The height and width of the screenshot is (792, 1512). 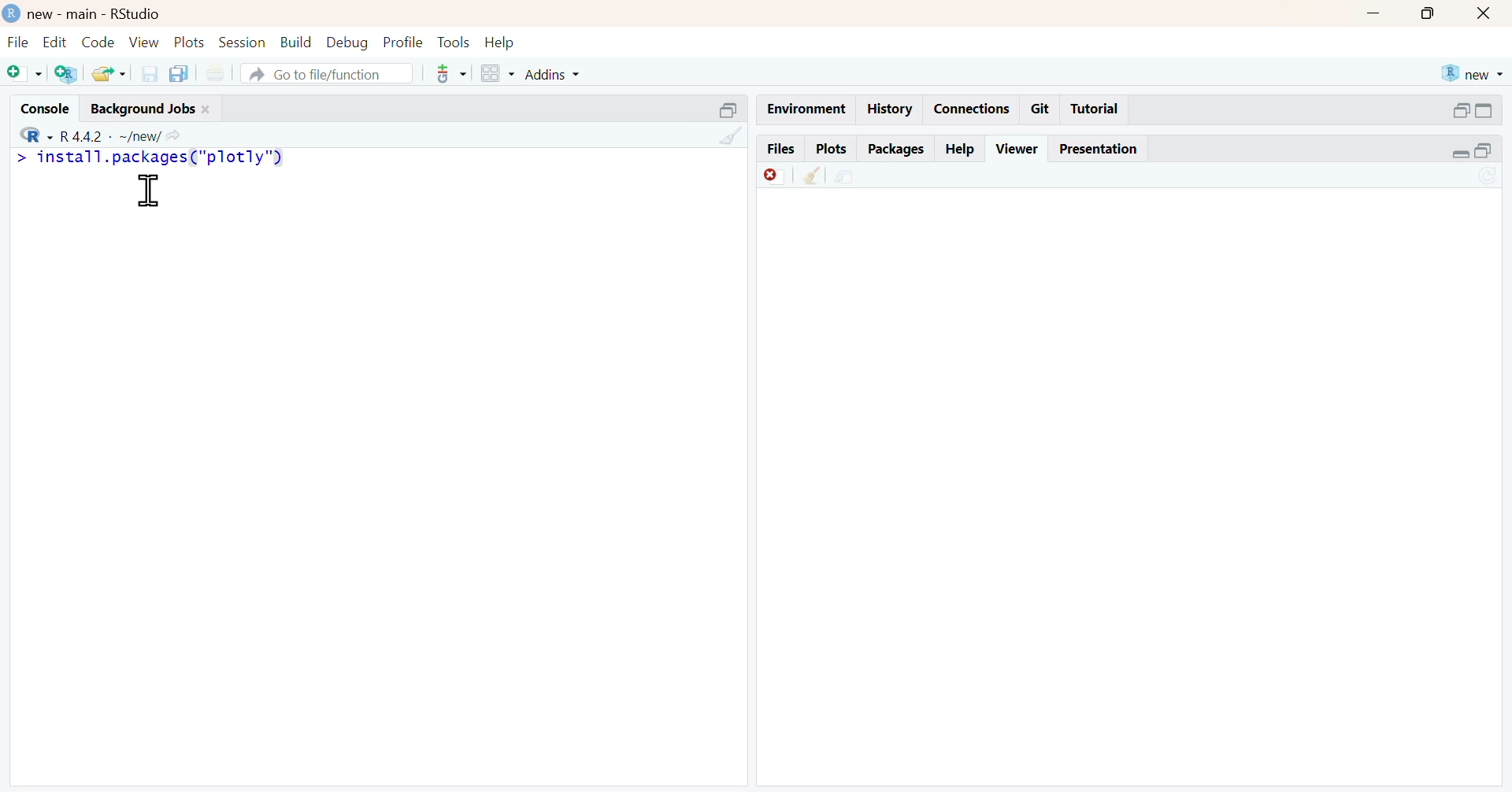 I want to click on presentation, so click(x=1101, y=149).